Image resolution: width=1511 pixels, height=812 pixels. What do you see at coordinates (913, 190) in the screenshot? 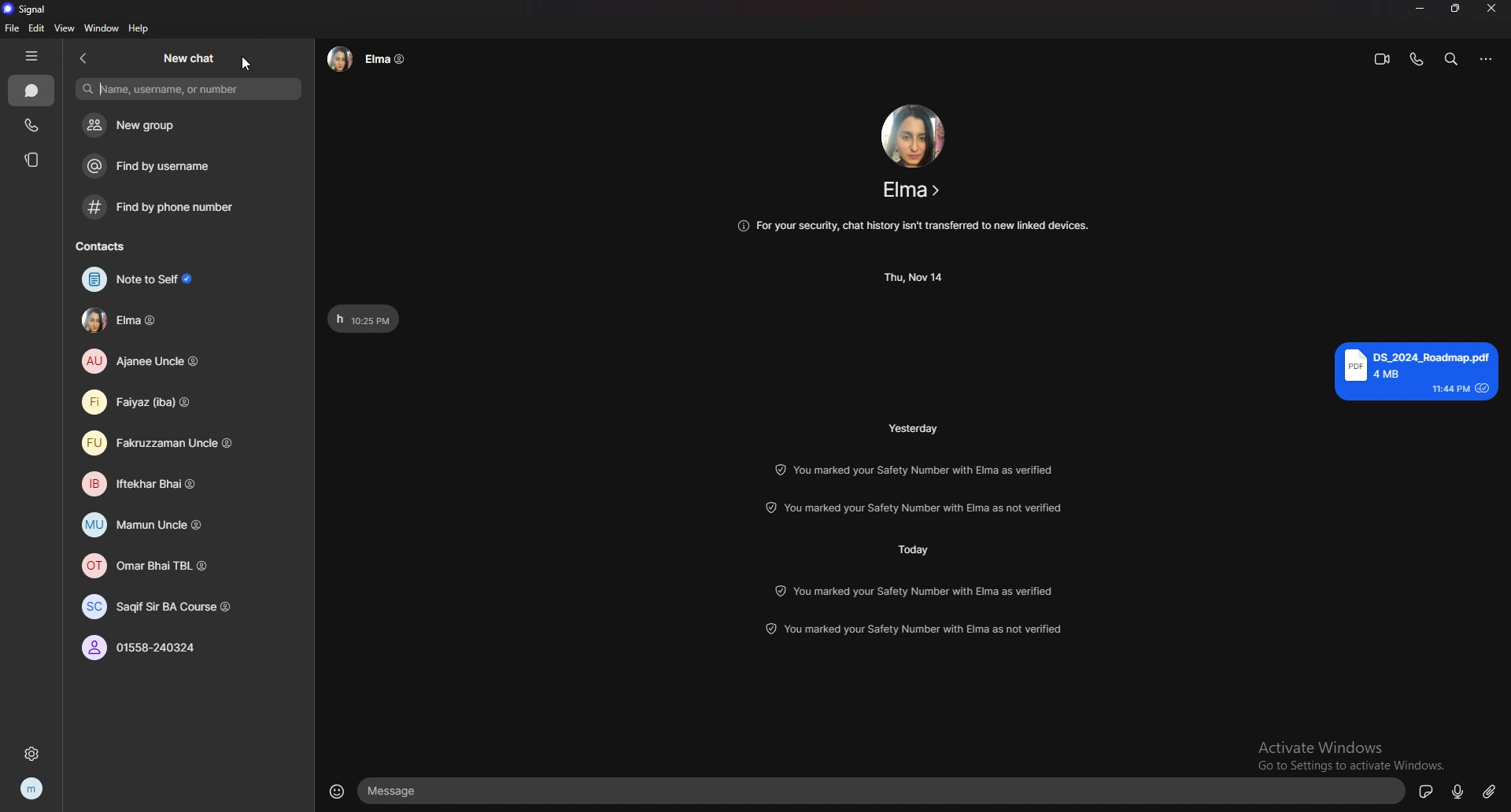
I see `contact info` at bounding box center [913, 190].